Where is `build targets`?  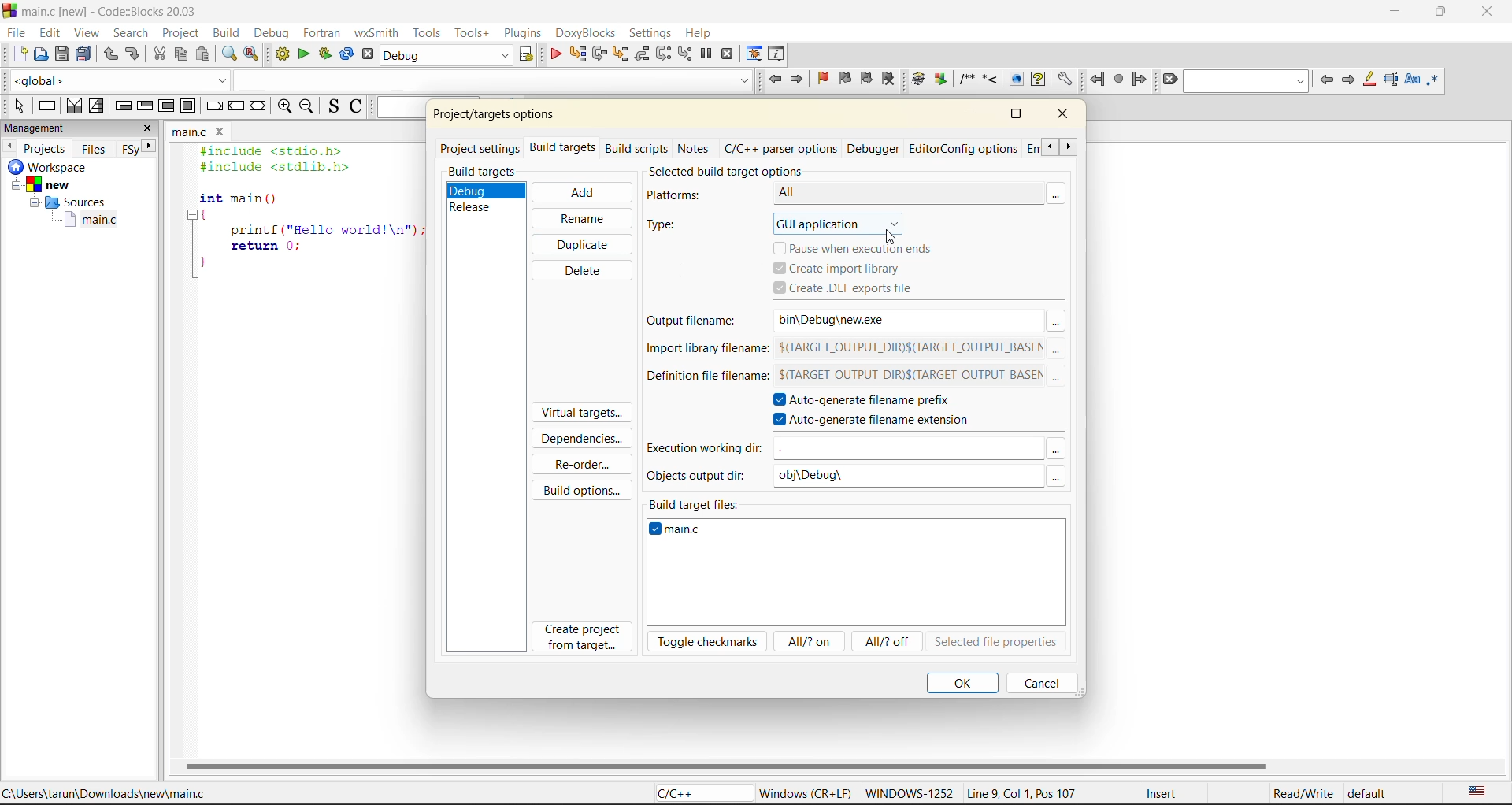
build targets is located at coordinates (484, 172).